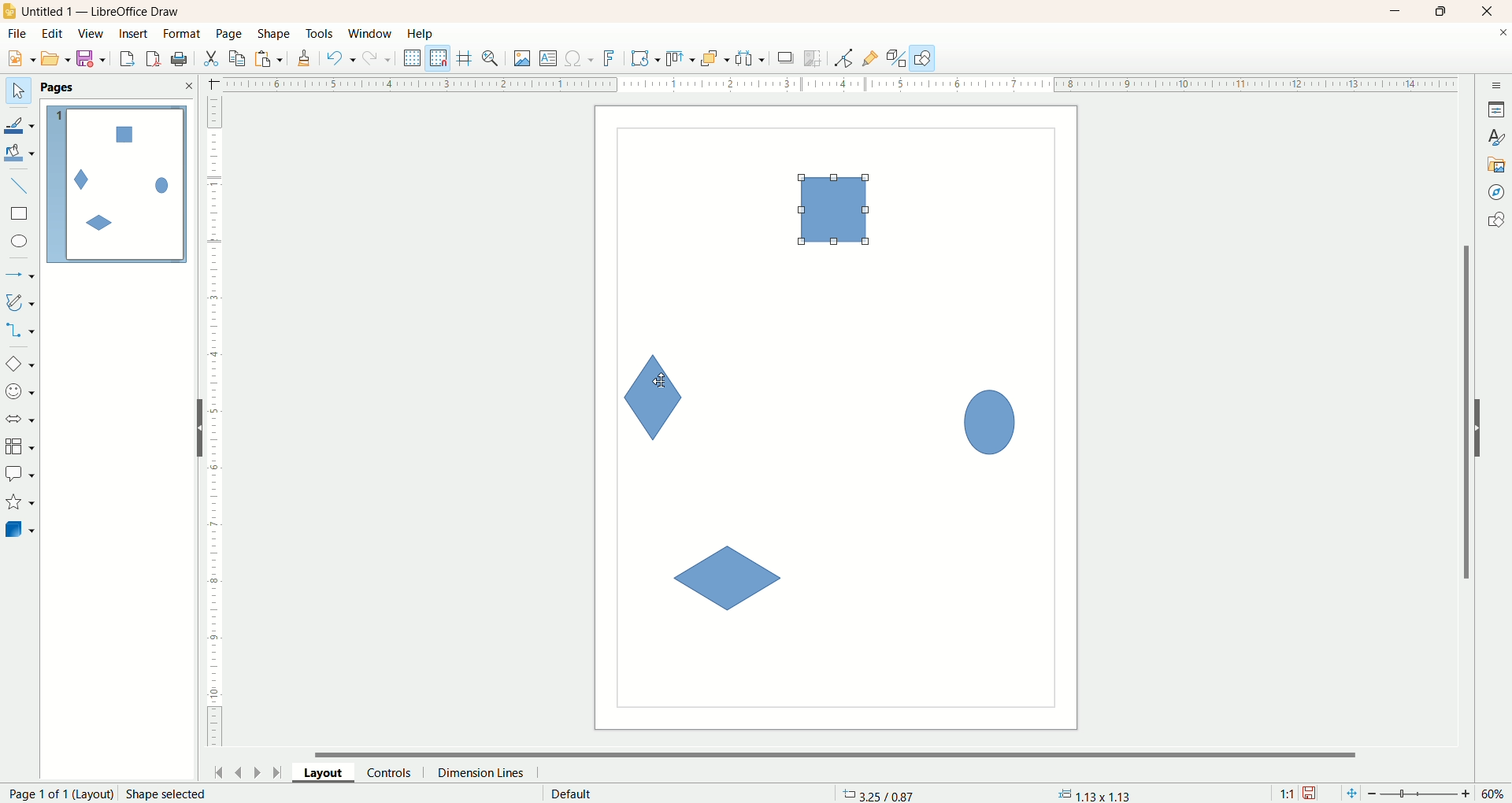 The height and width of the screenshot is (803, 1512). I want to click on symbol shape, so click(22, 393).